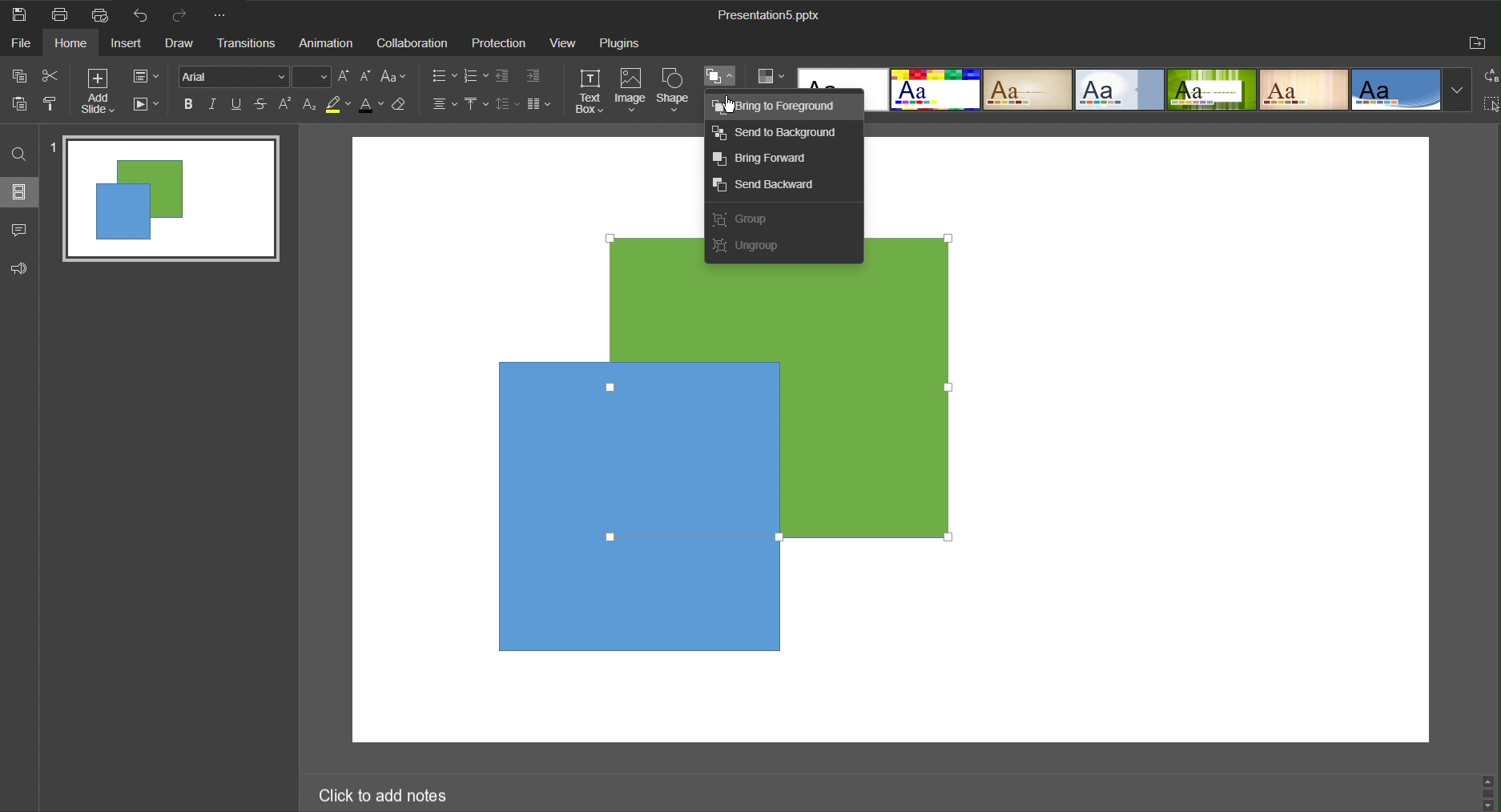 The height and width of the screenshot is (812, 1501). Describe the element at coordinates (786, 78) in the screenshot. I see `Color` at that location.